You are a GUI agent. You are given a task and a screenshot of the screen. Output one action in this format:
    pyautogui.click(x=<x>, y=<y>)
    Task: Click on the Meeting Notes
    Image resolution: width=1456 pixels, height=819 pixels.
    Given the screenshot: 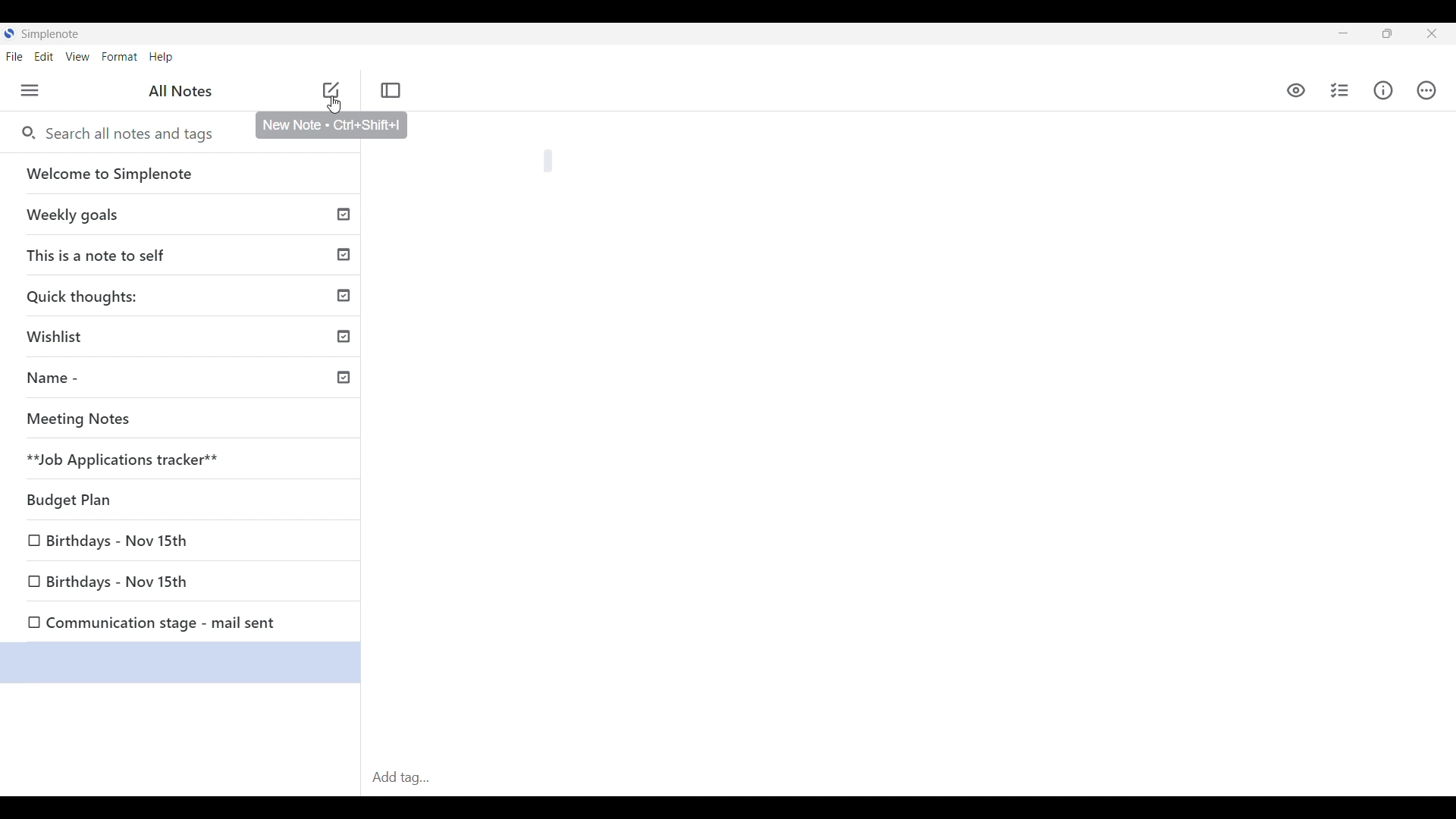 What is the action you would take?
    pyautogui.click(x=186, y=421)
    